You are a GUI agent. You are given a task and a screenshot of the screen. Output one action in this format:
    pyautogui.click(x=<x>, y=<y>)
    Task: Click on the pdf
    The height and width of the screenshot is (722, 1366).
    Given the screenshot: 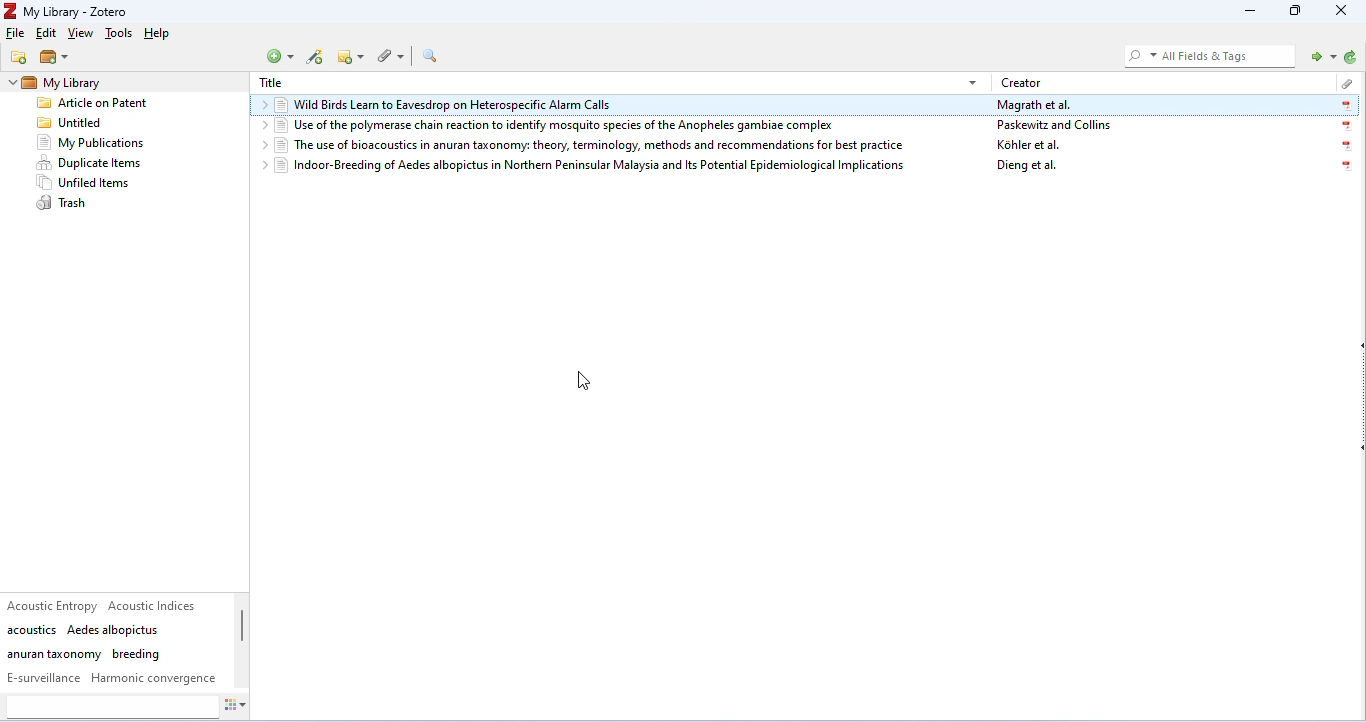 What is the action you would take?
    pyautogui.click(x=1345, y=126)
    